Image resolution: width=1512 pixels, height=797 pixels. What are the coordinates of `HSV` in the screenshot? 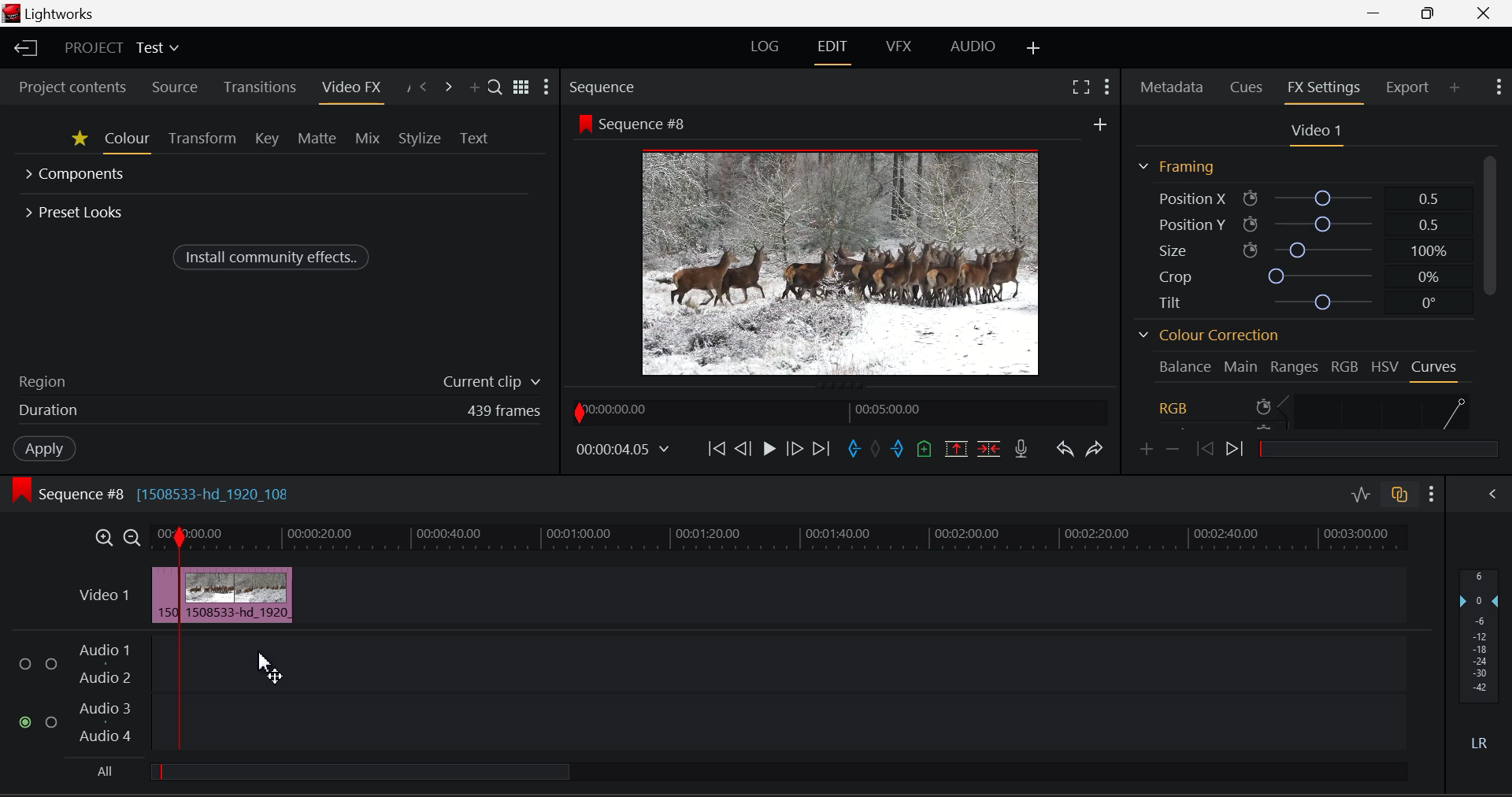 It's located at (1387, 365).